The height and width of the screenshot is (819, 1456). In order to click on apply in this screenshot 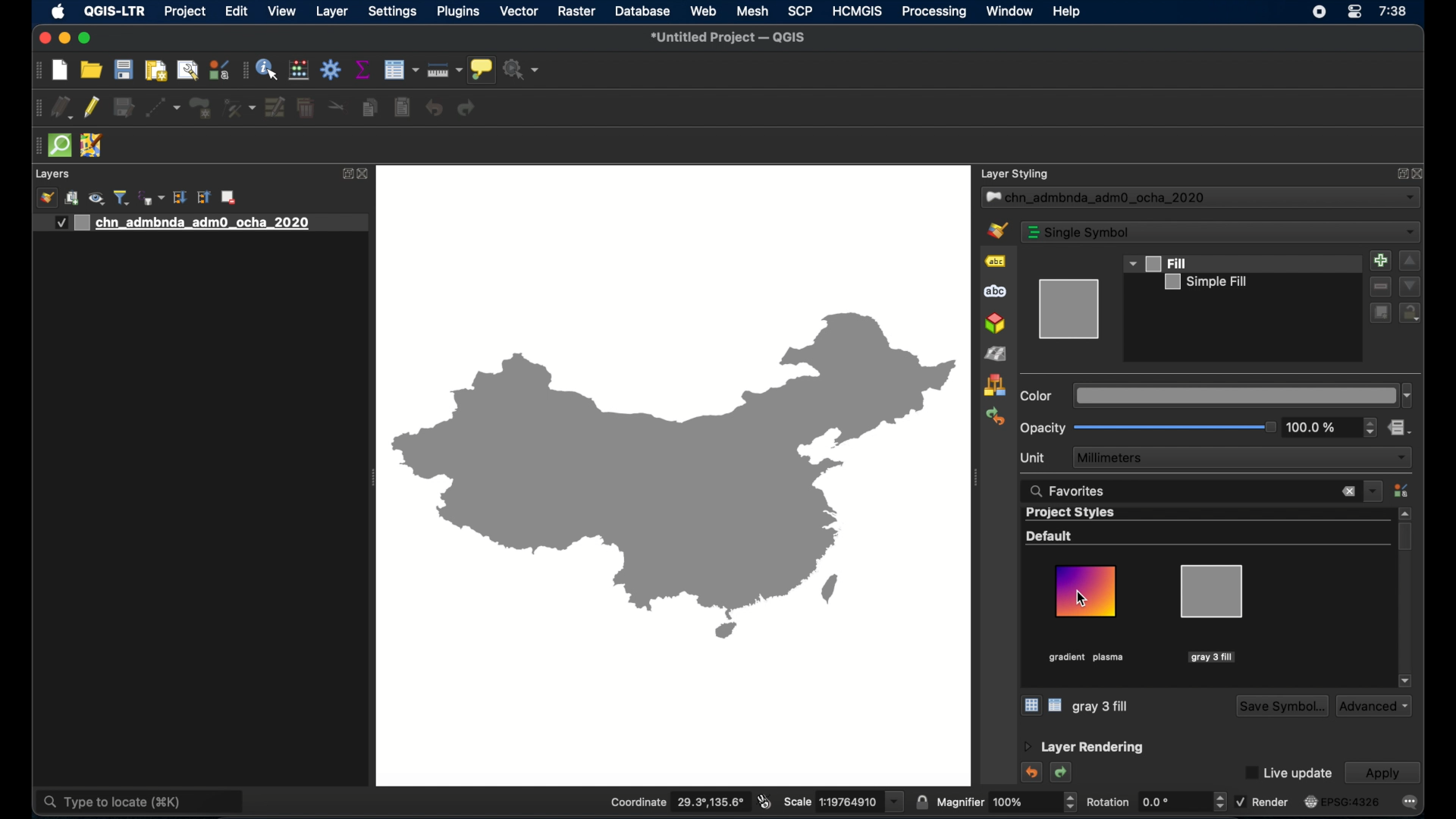, I will do `click(1382, 773)`.